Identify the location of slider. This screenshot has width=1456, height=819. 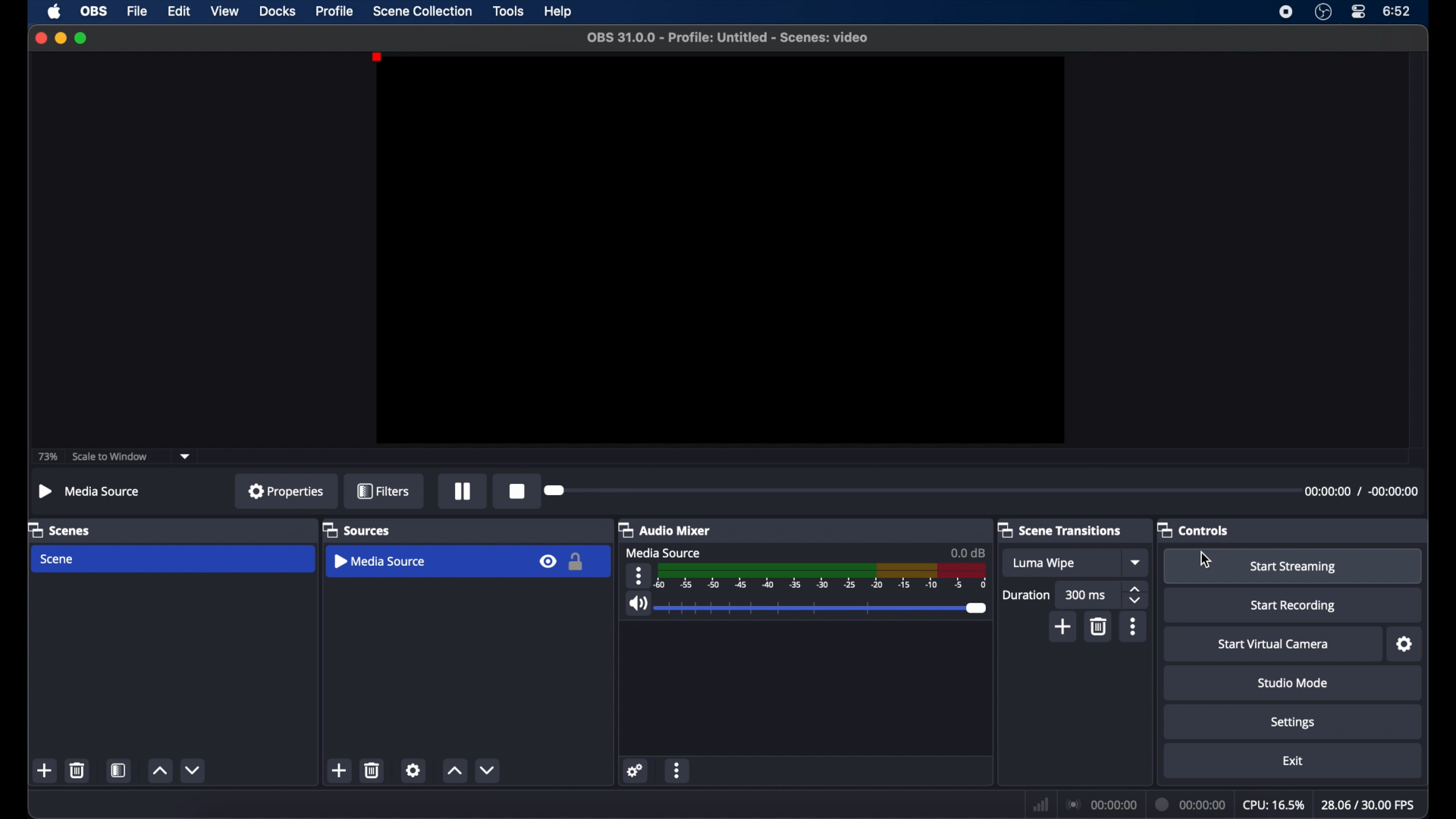
(823, 609).